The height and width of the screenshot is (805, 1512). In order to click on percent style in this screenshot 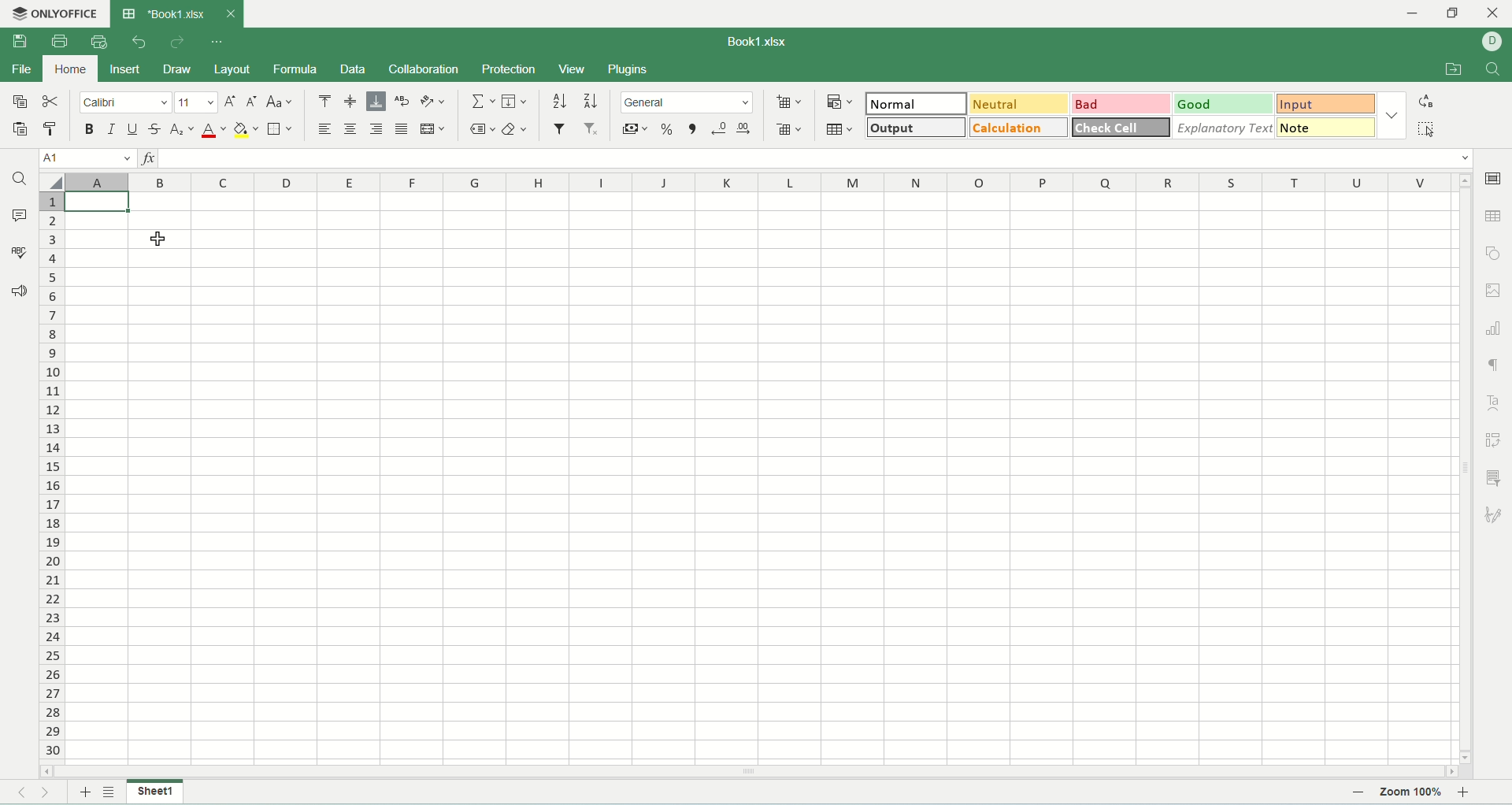, I will do `click(671, 129)`.